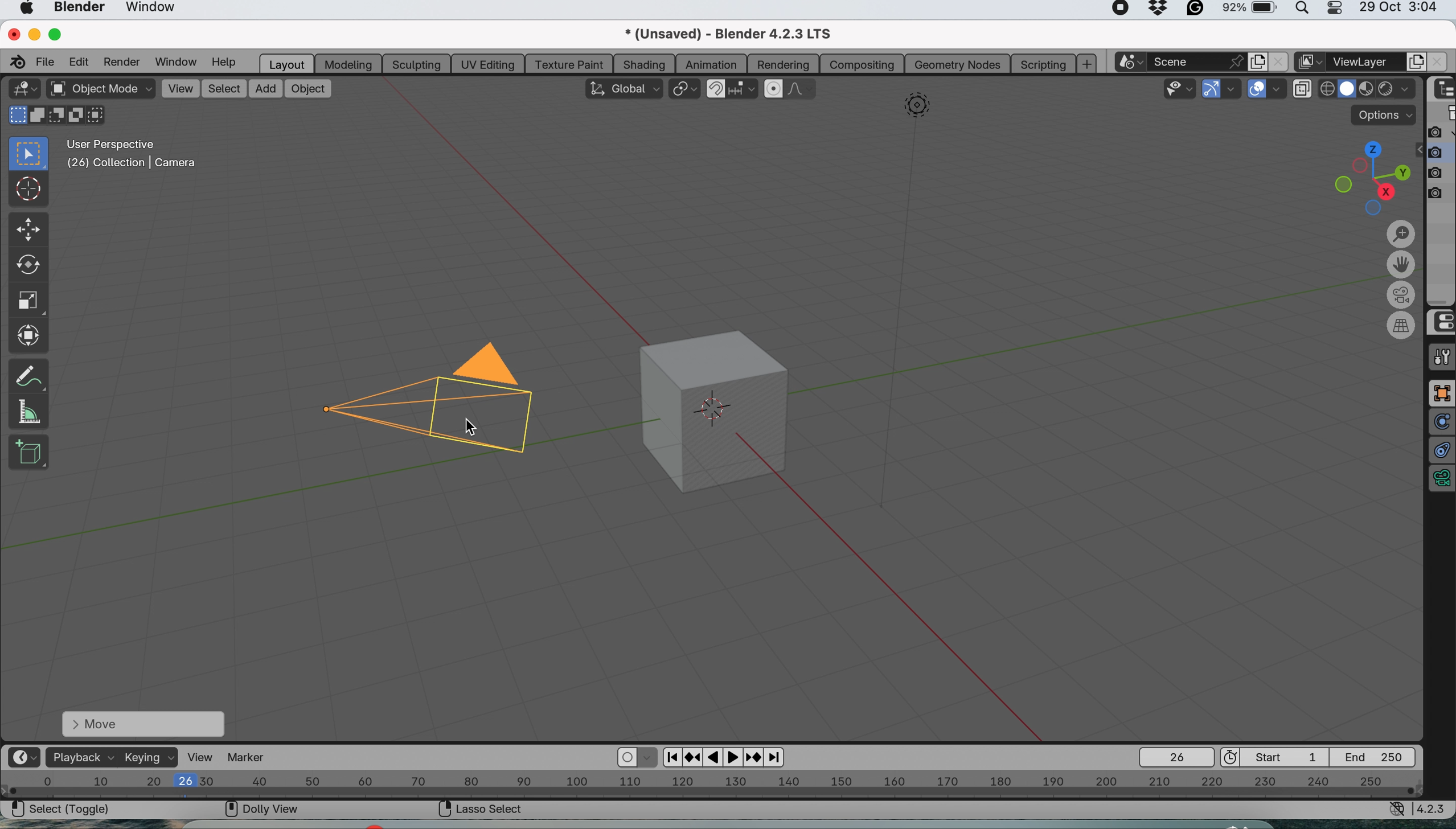 This screenshot has height=829, width=1456. Describe the element at coordinates (784, 65) in the screenshot. I see `rendering` at that location.